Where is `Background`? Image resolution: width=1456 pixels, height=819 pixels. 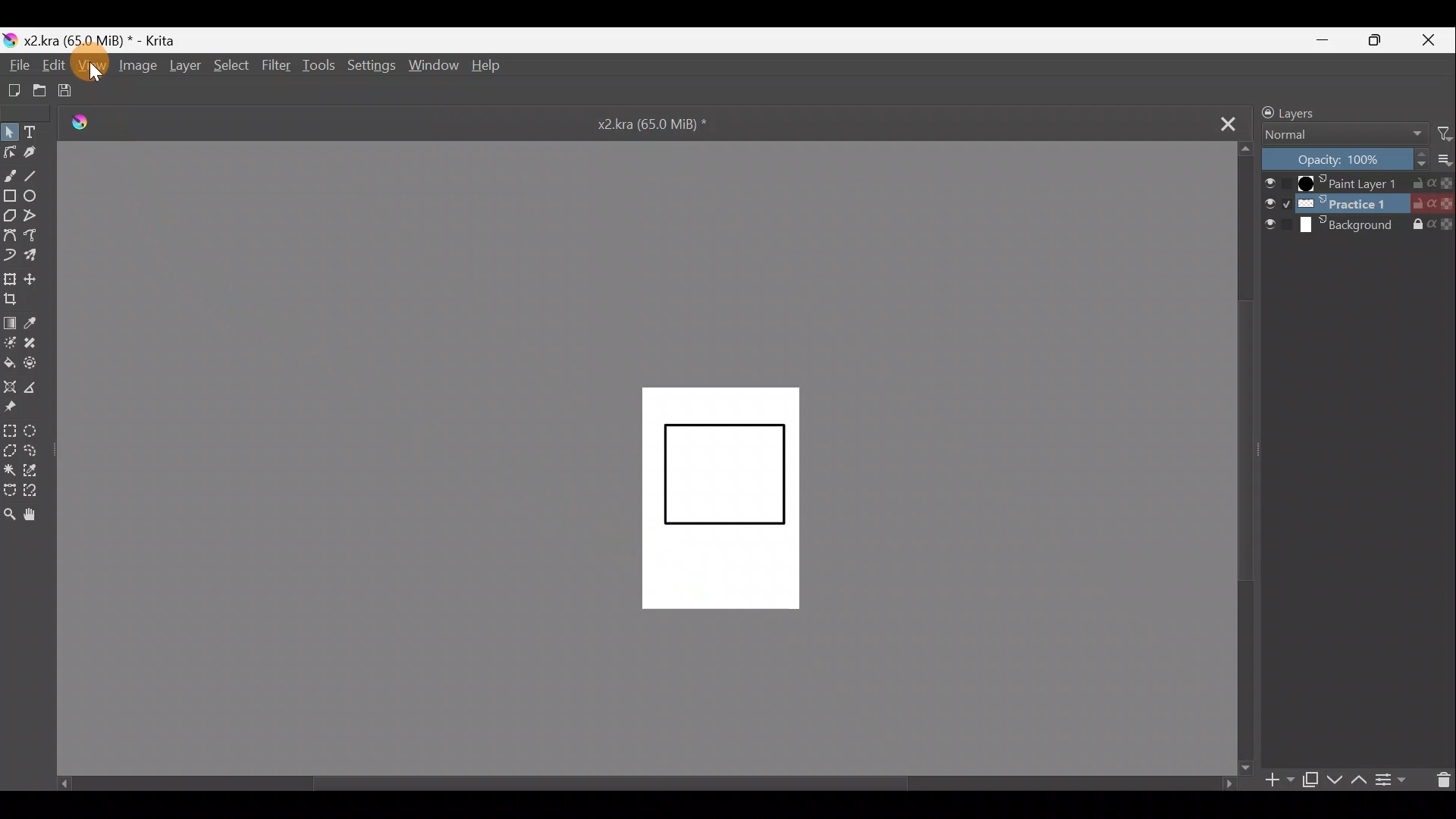
Background is located at coordinates (1359, 224).